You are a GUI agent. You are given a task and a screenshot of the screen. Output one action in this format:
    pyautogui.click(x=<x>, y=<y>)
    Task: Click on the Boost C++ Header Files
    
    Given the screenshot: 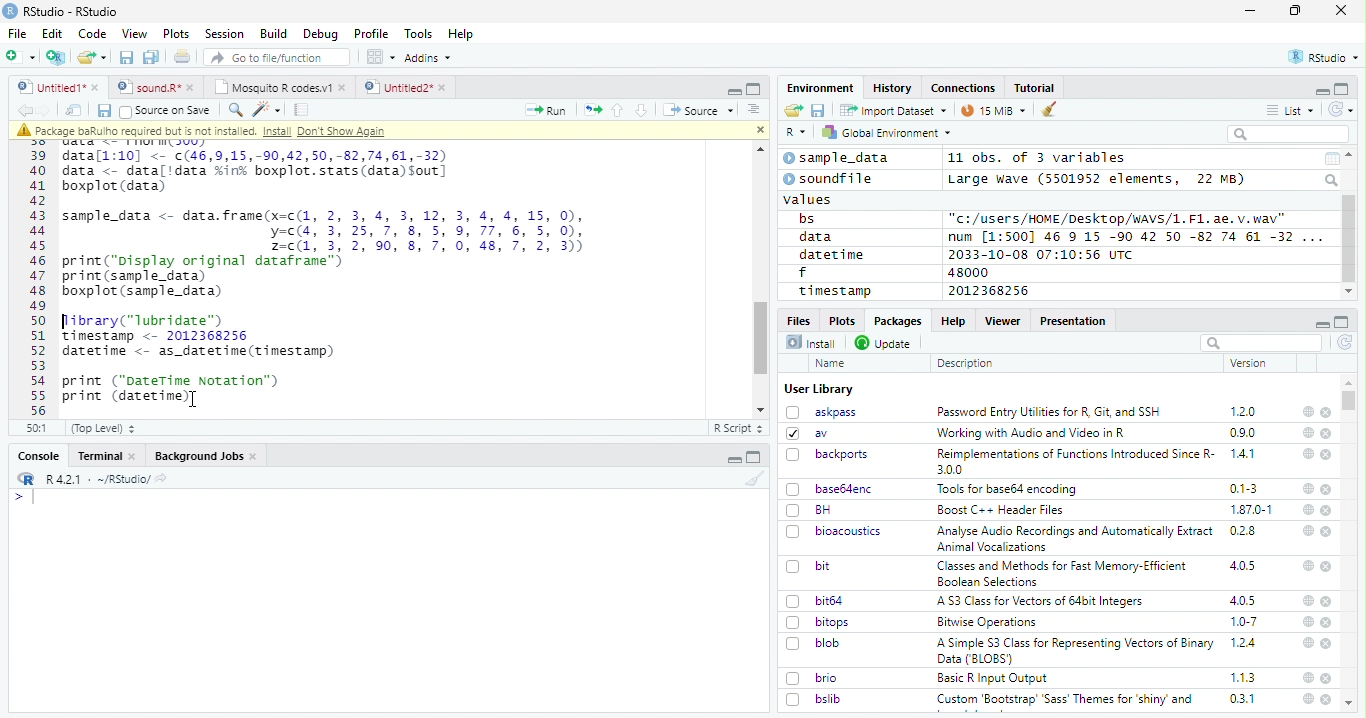 What is the action you would take?
    pyautogui.click(x=998, y=511)
    